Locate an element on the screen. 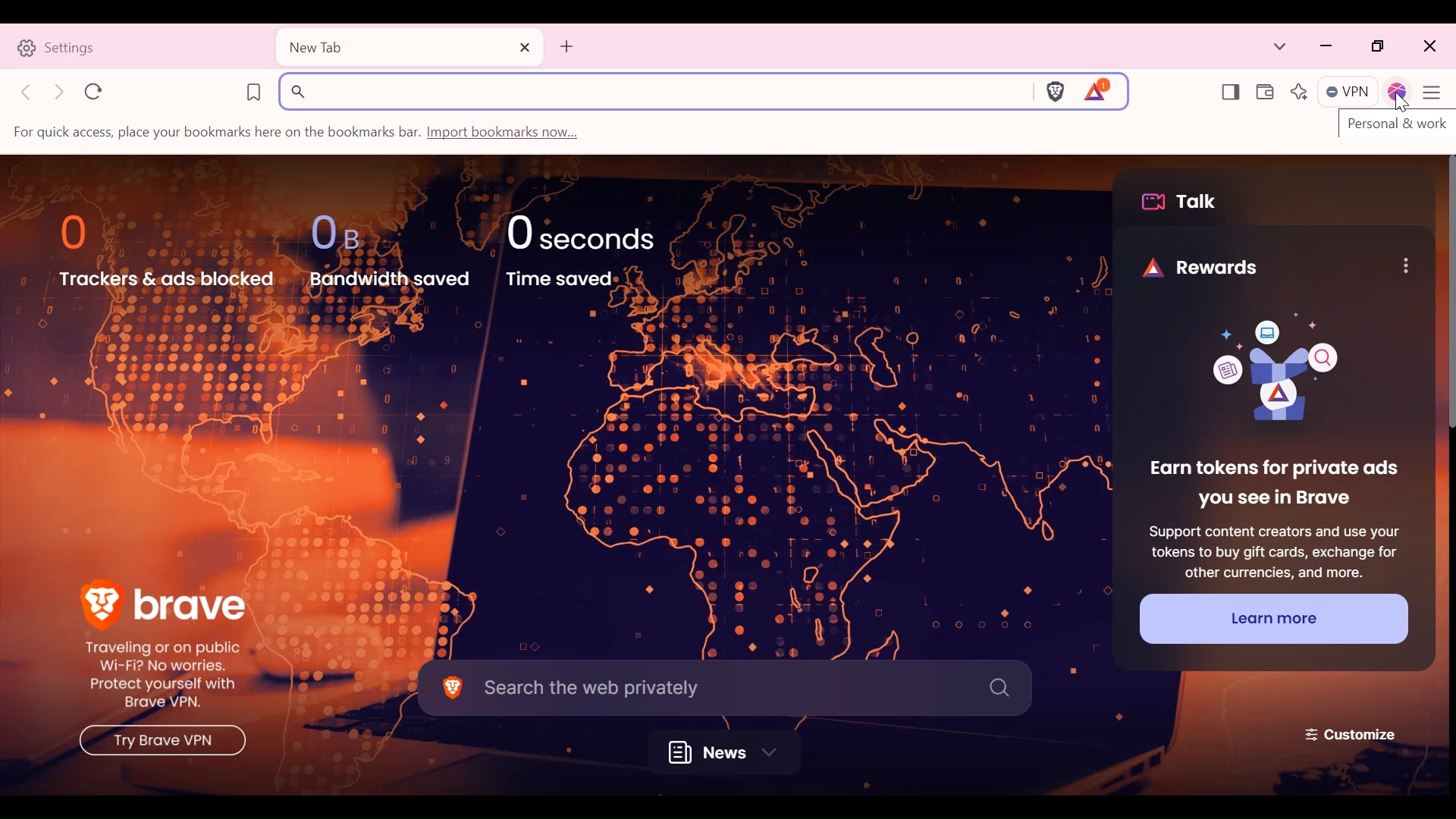 The height and width of the screenshot is (819, 1456). Close is located at coordinates (1428, 47).